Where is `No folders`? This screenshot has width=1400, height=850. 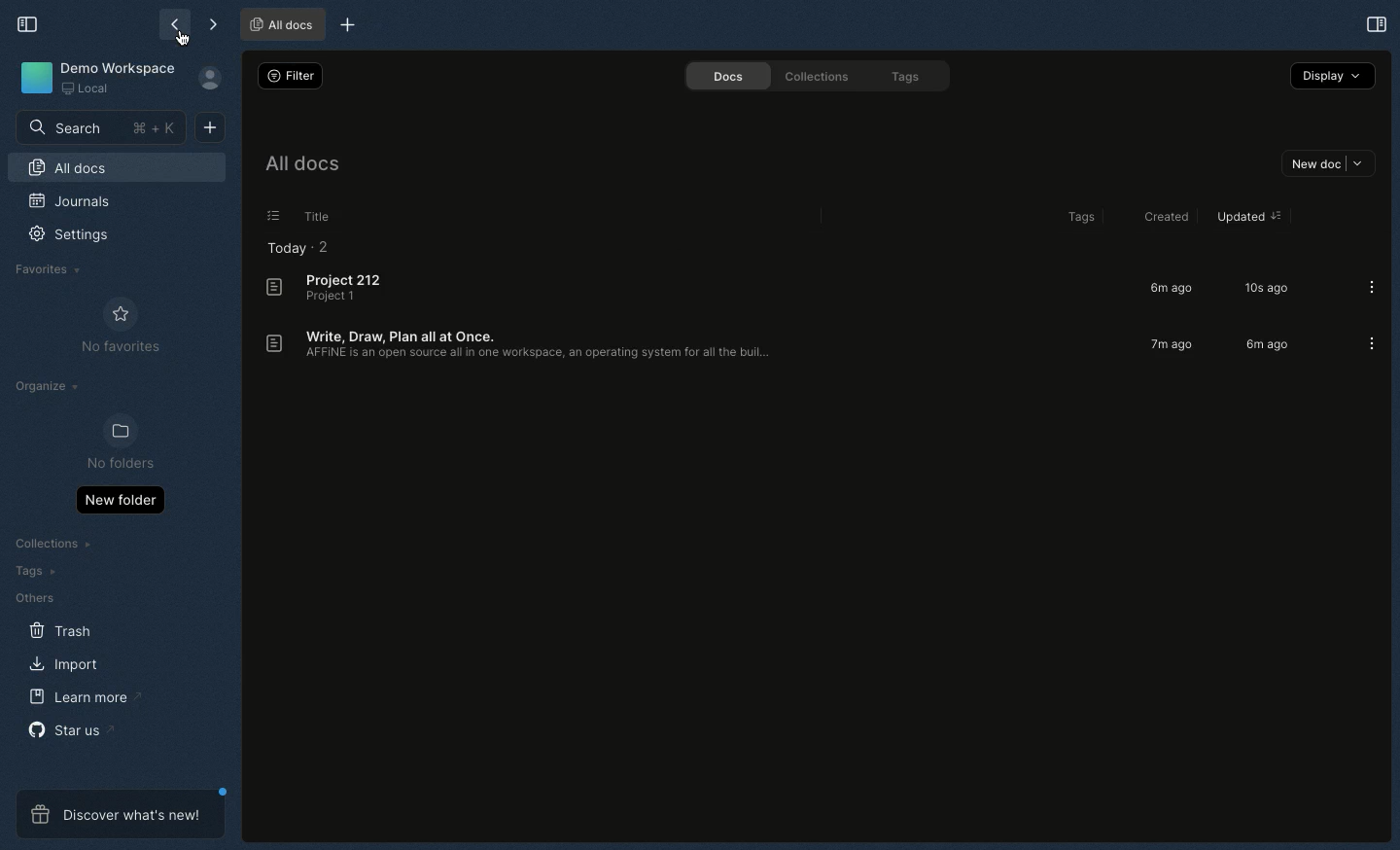
No folders is located at coordinates (122, 443).